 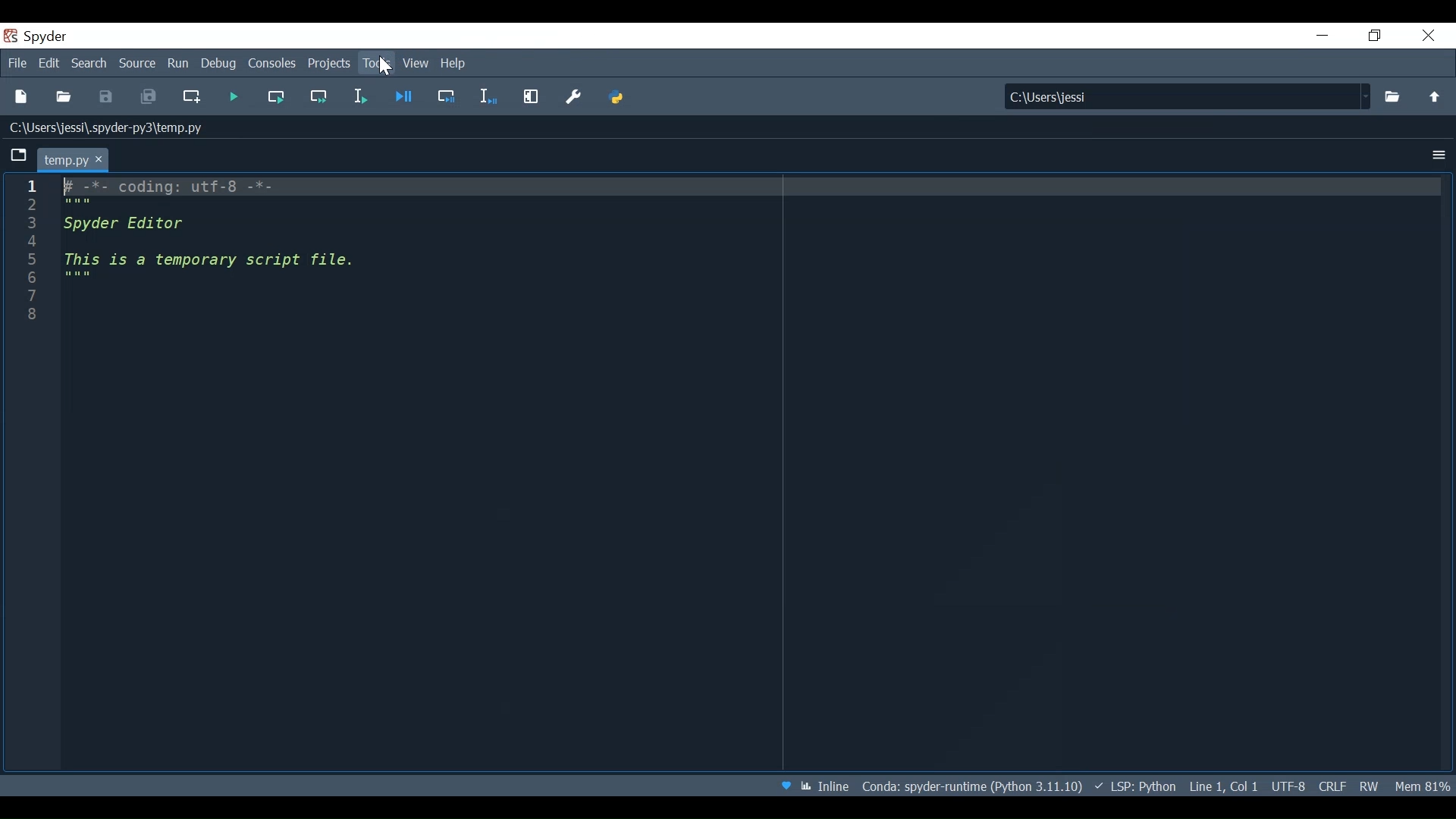 I want to click on File, so click(x=19, y=63).